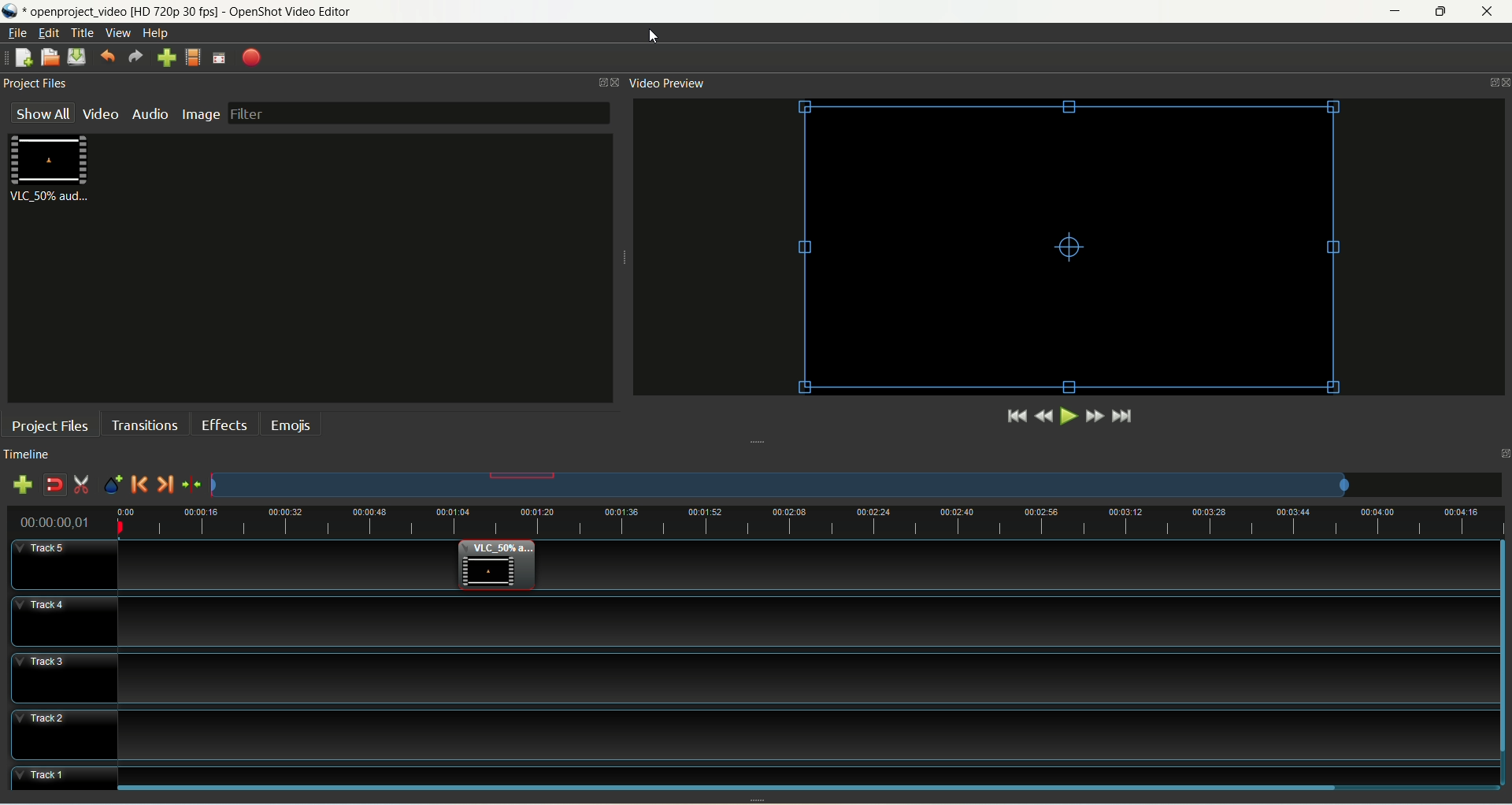  I want to click on add marker, so click(112, 486).